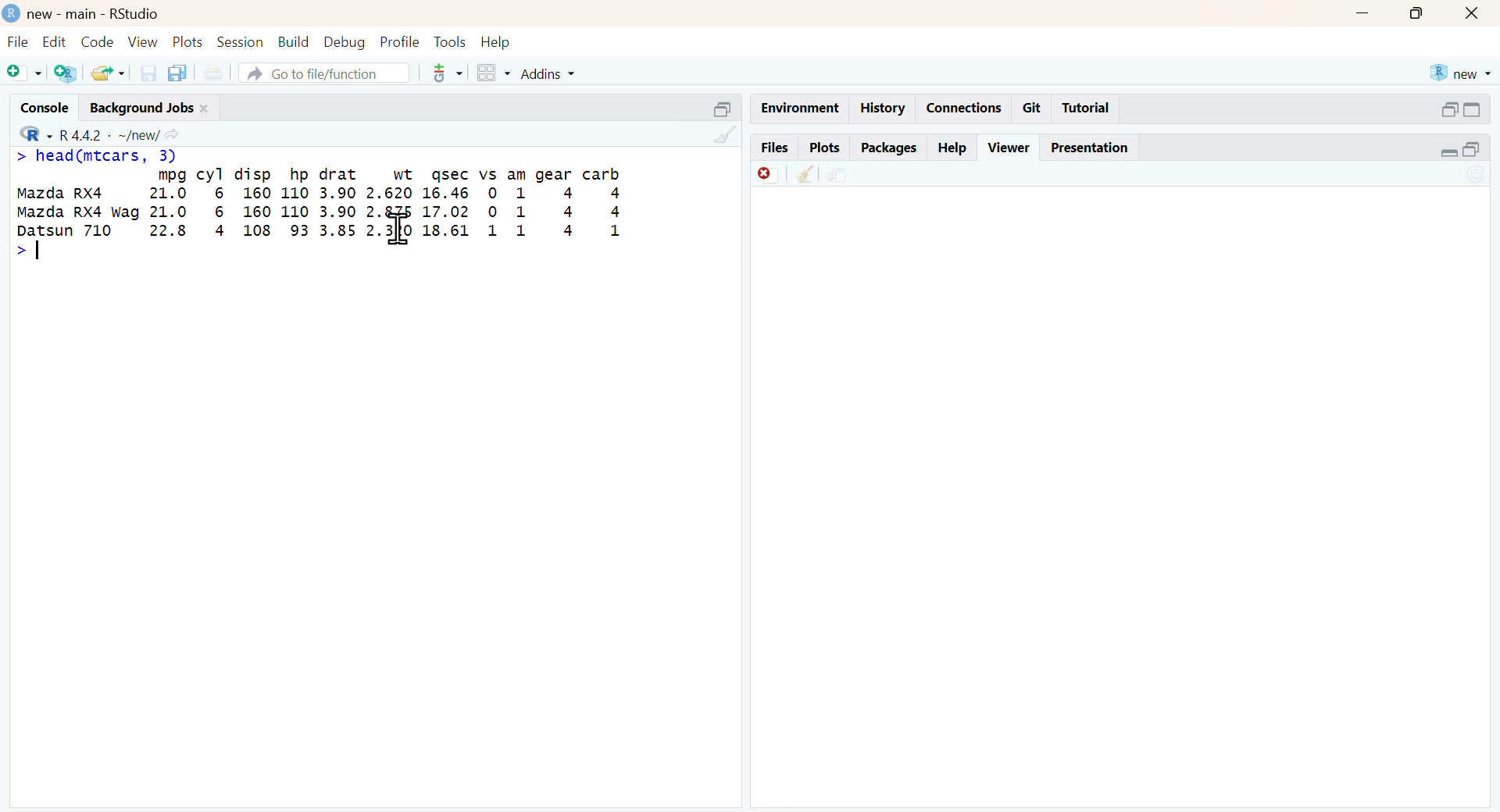 This screenshot has width=1500, height=812. What do you see at coordinates (163, 105) in the screenshot?
I see `Background Jobs` at bounding box center [163, 105].